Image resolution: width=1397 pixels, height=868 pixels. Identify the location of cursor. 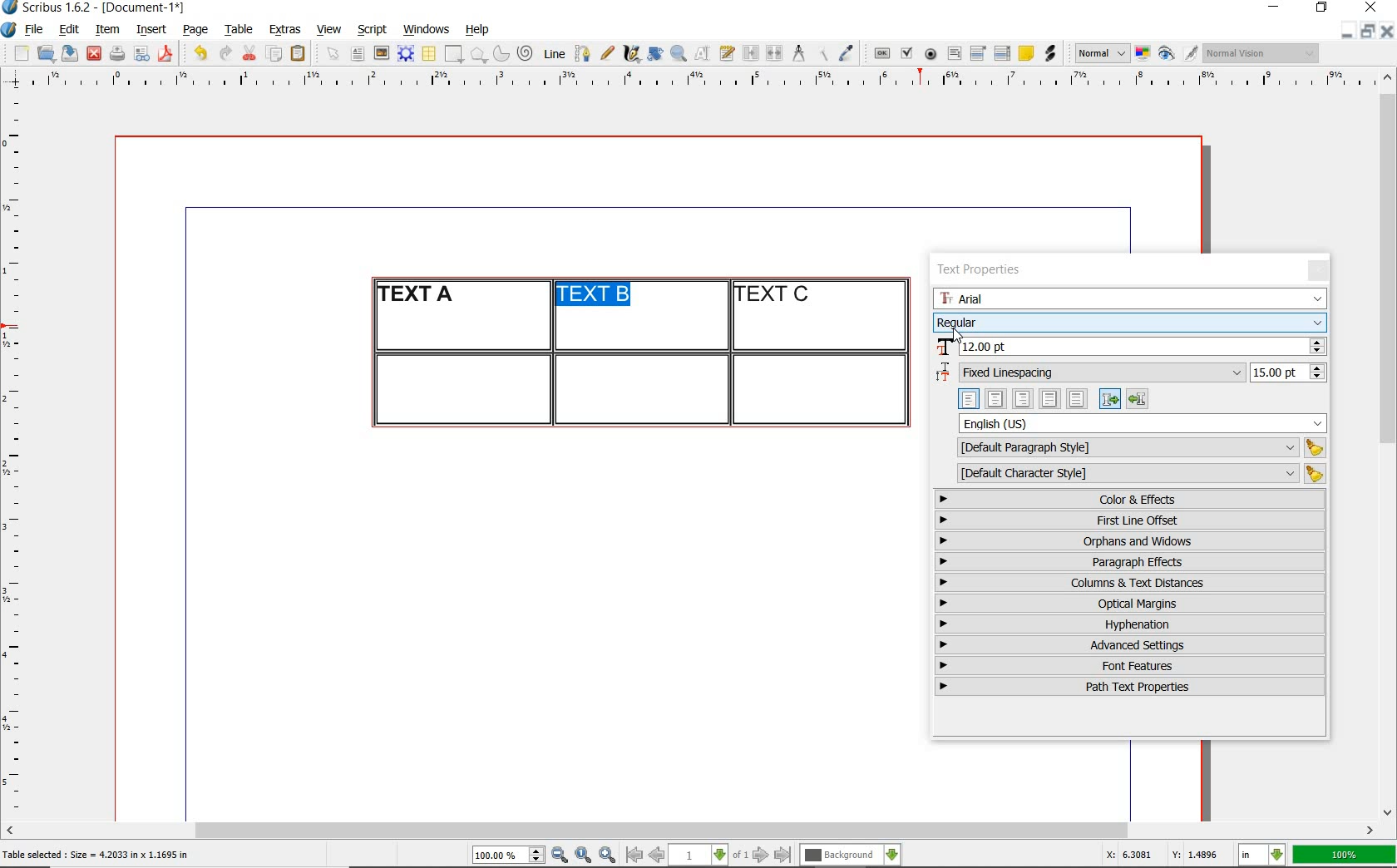
(957, 335).